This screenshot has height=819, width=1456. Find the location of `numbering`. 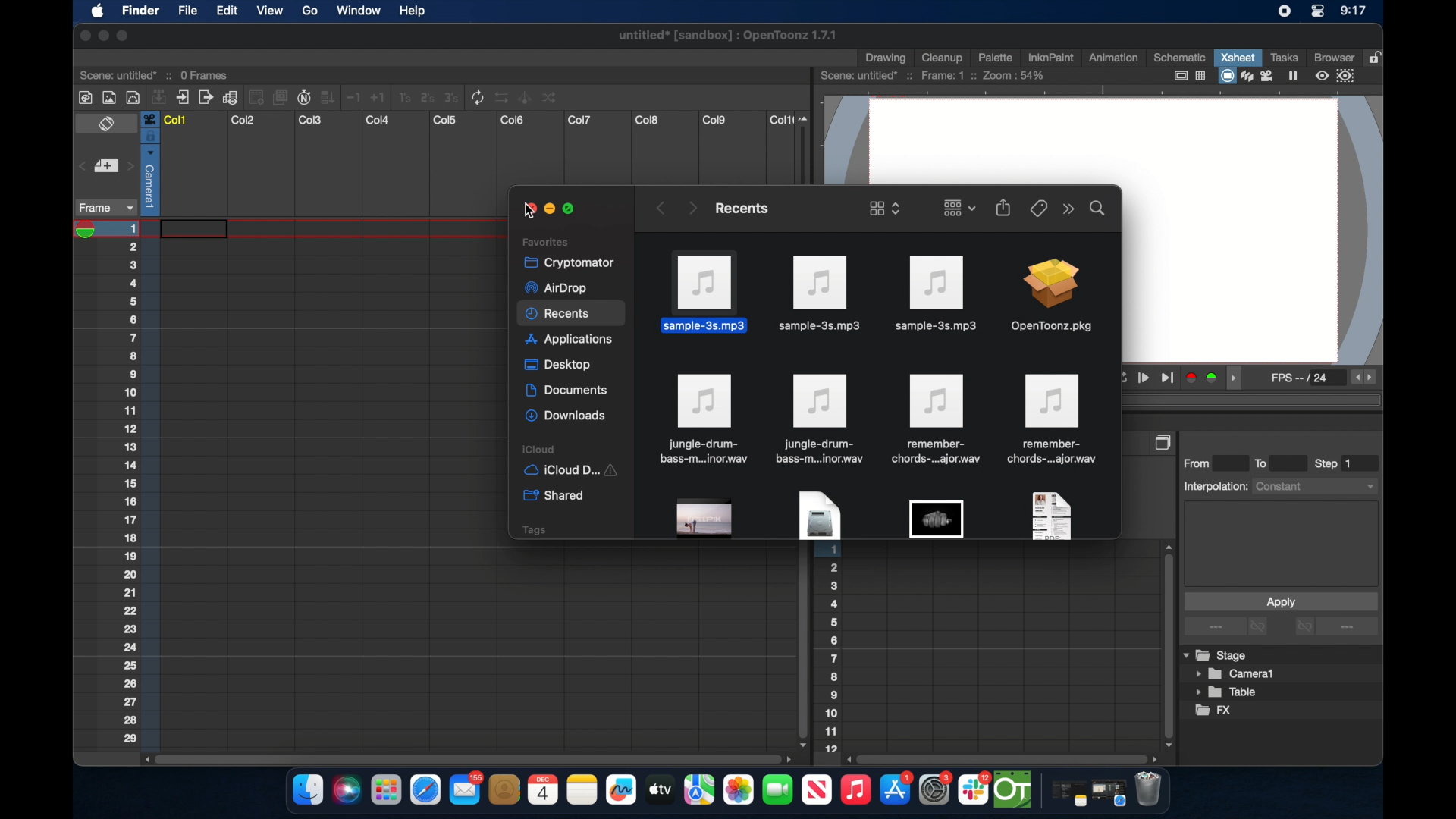

numbering is located at coordinates (140, 483).